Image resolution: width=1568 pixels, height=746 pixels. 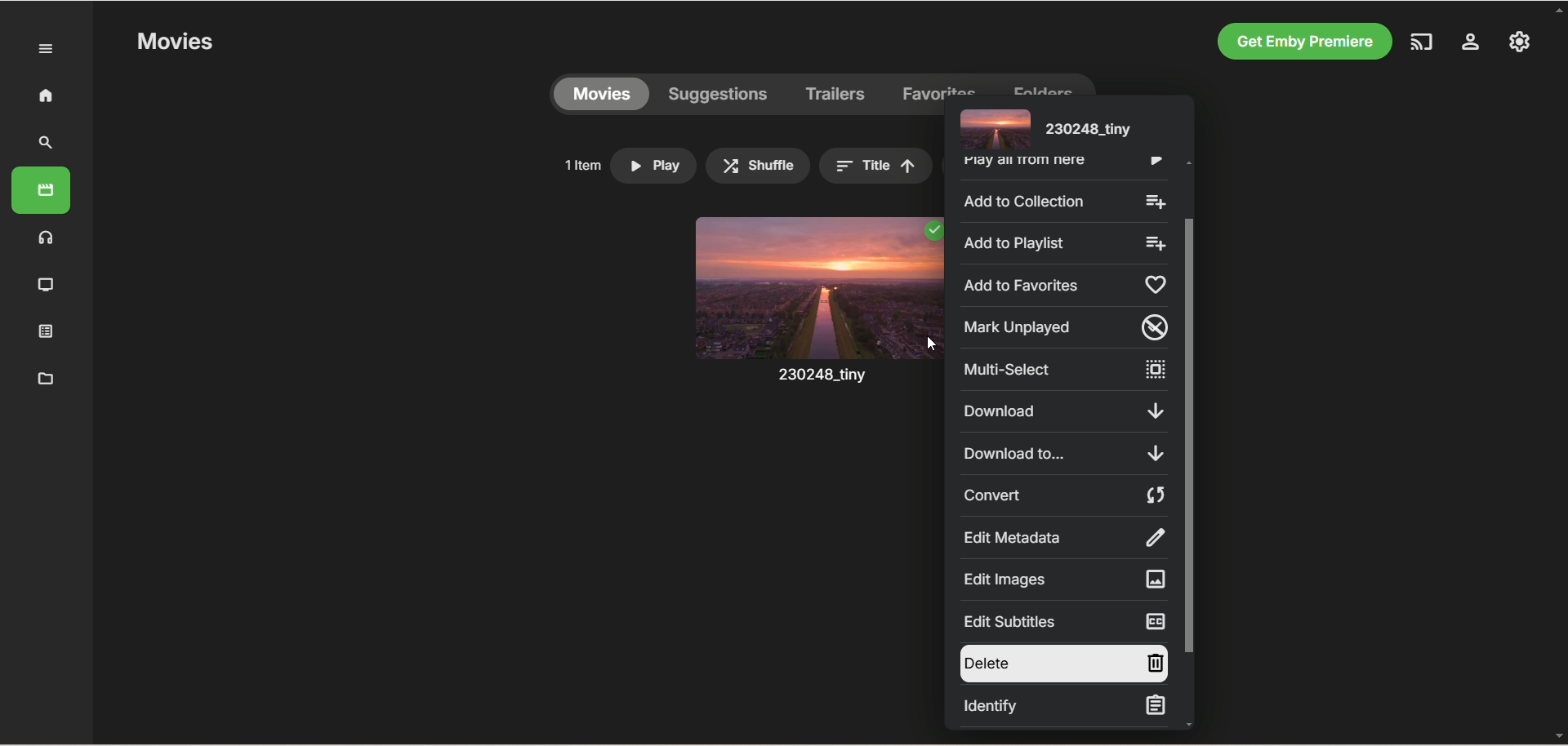 I want to click on play all from here, so click(x=1060, y=166).